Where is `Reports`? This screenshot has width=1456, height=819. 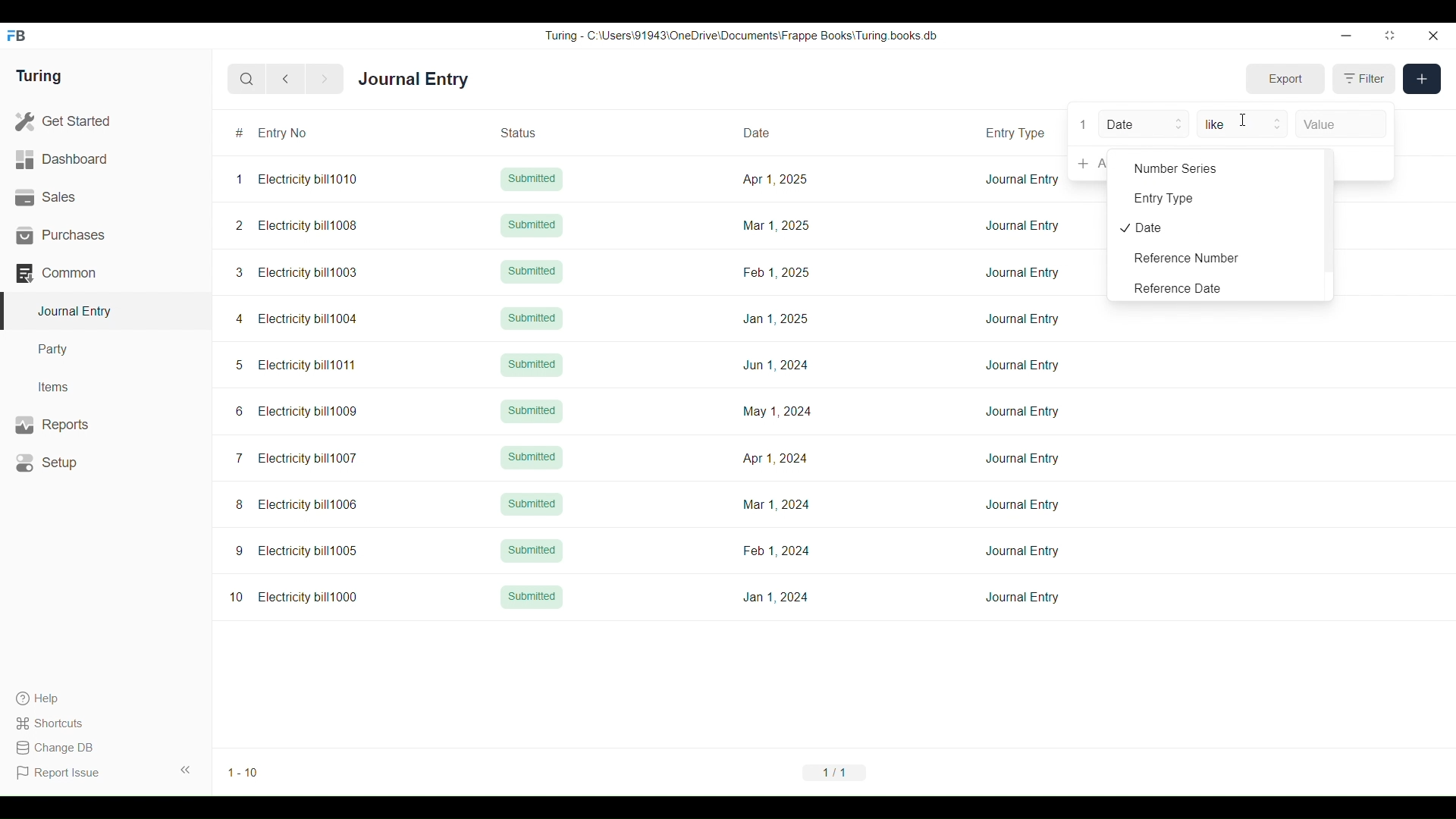 Reports is located at coordinates (107, 425).